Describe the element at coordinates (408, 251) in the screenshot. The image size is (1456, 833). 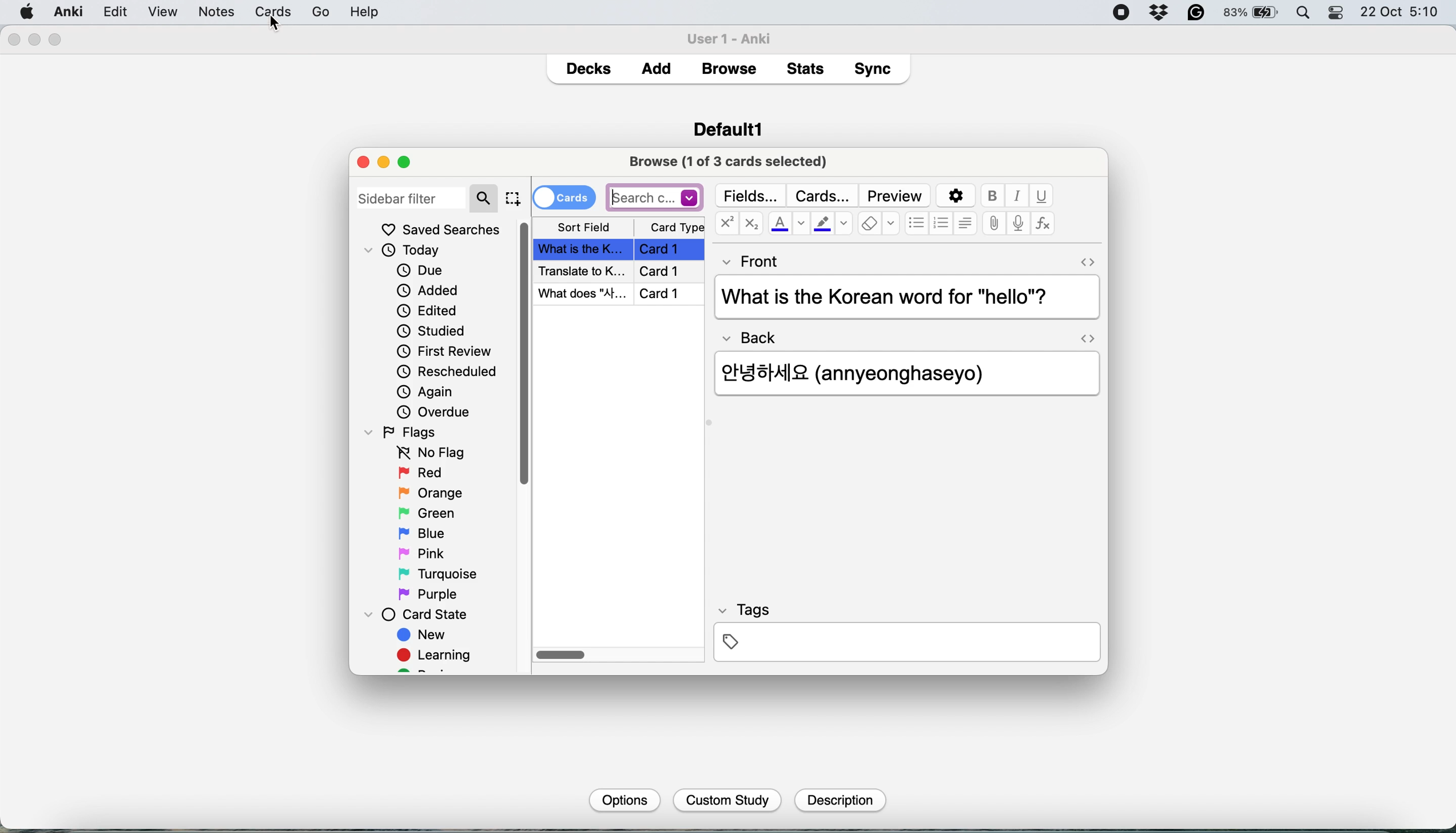
I see `today` at that location.